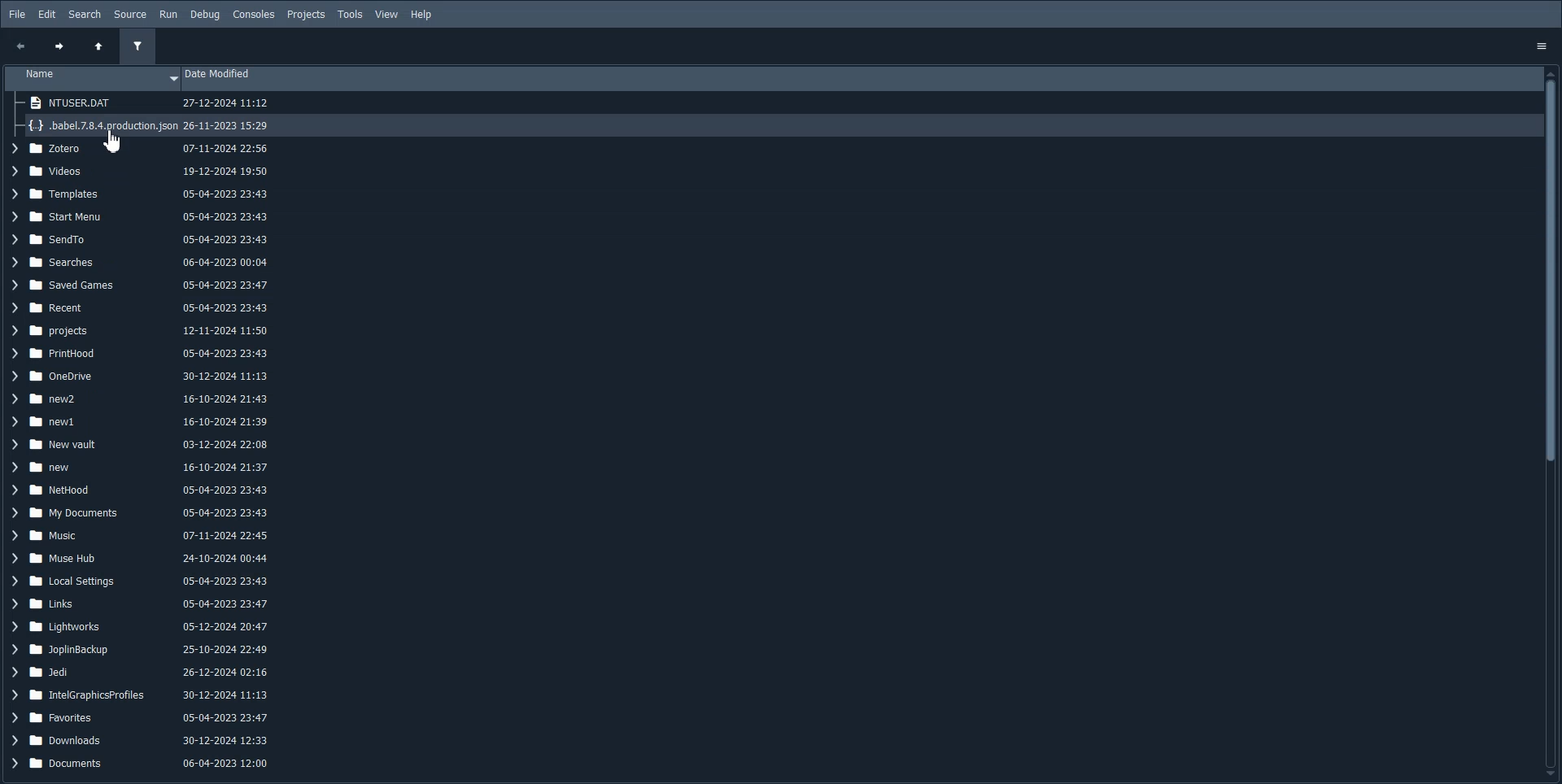 The width and height of the screenshot is (1562, 784). What do you see at coordinates (130, 14) in the screenshot?
I see `Source` at bounding box center [130, 14].